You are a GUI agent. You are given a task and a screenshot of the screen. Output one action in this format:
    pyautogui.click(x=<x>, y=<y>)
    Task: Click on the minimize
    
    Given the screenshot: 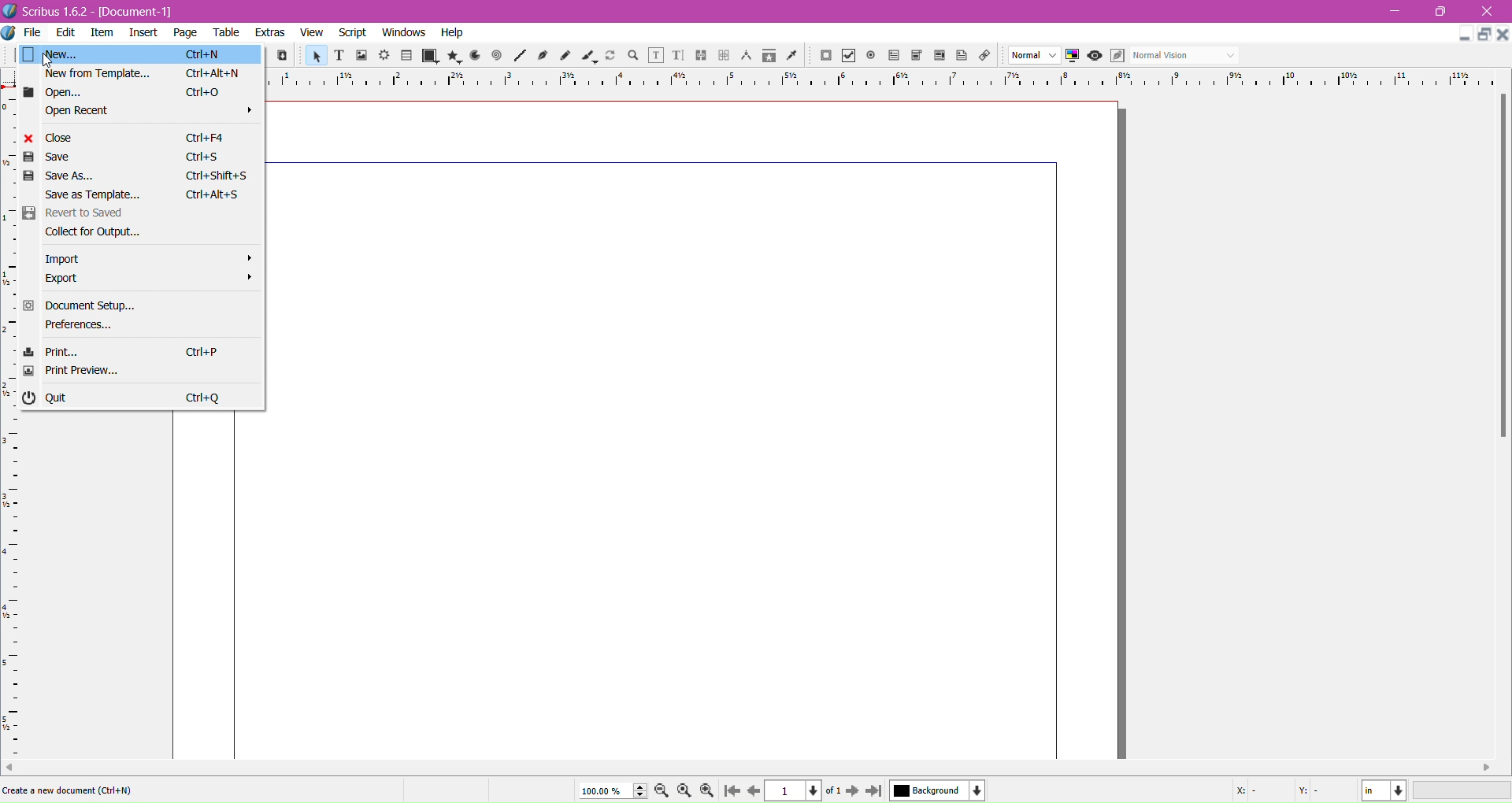 What is the action you would take?
    pyautogui.click(x=1458, y=35)
    